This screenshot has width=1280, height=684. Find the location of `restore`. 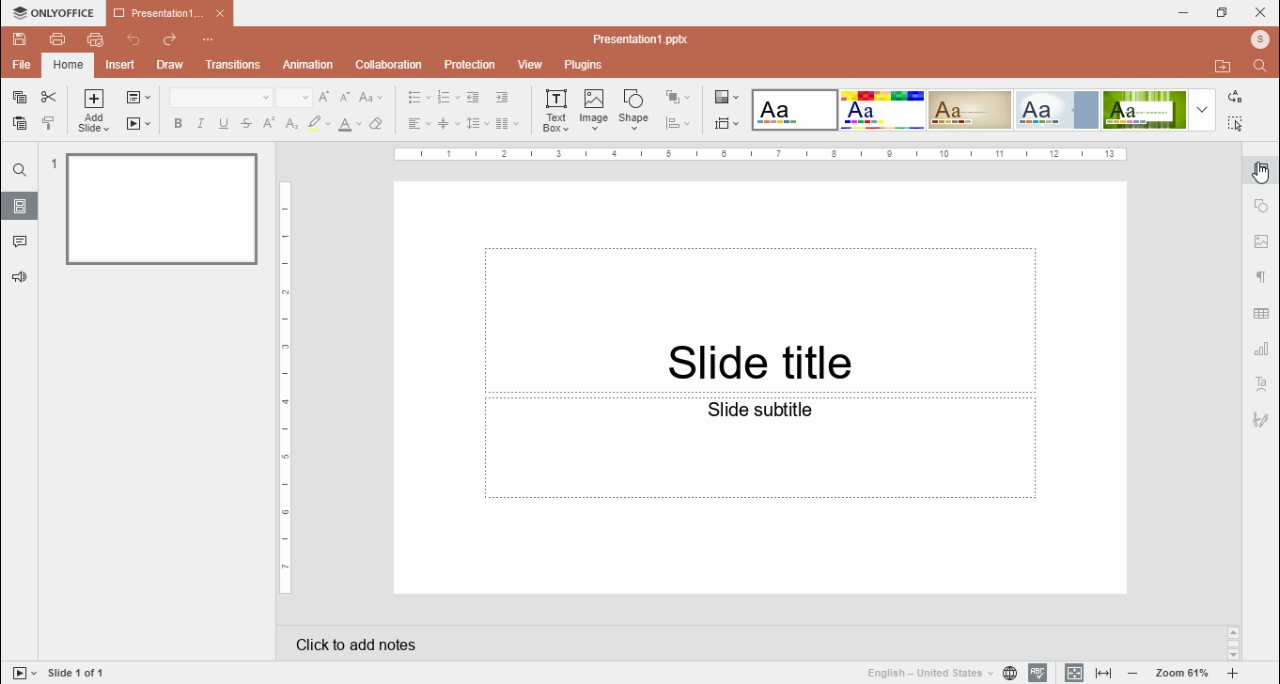

restore is located at coordinates (1222, 12).